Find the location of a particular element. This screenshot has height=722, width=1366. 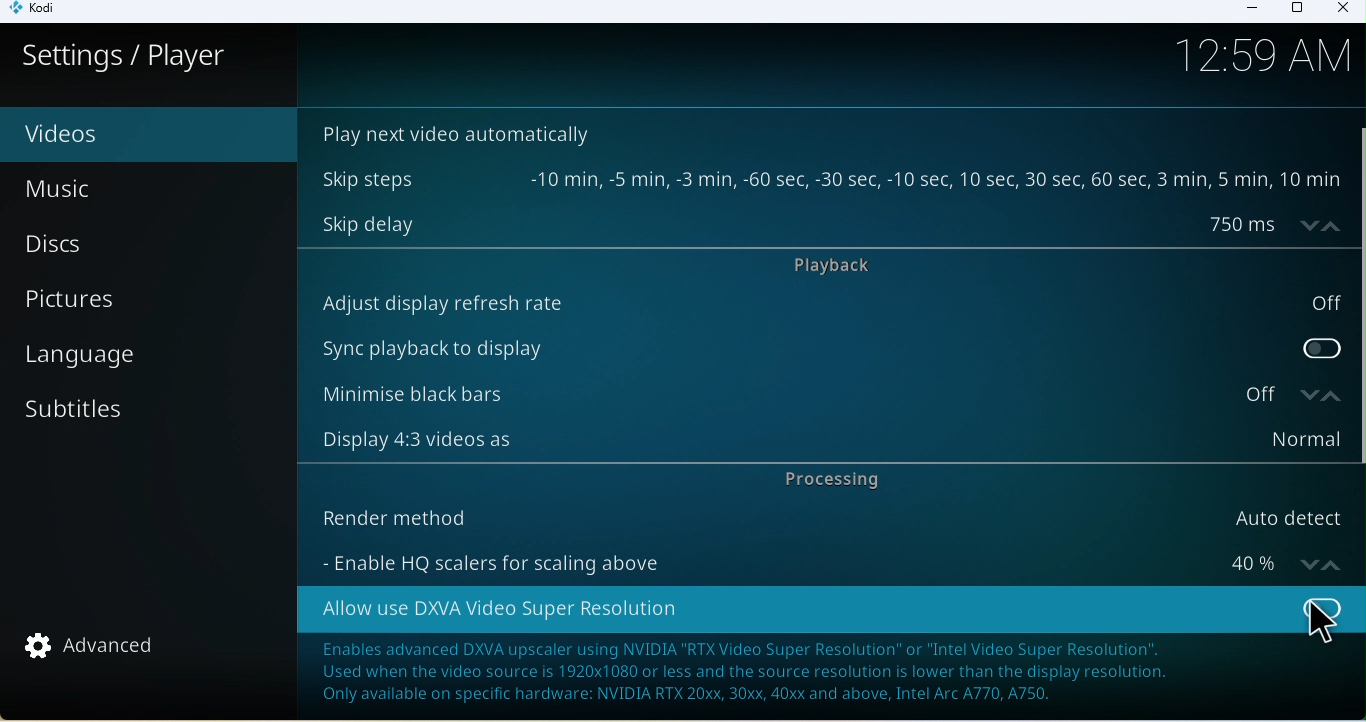

Allow use DXVA video super resolution is located at coordinates (829, 608).